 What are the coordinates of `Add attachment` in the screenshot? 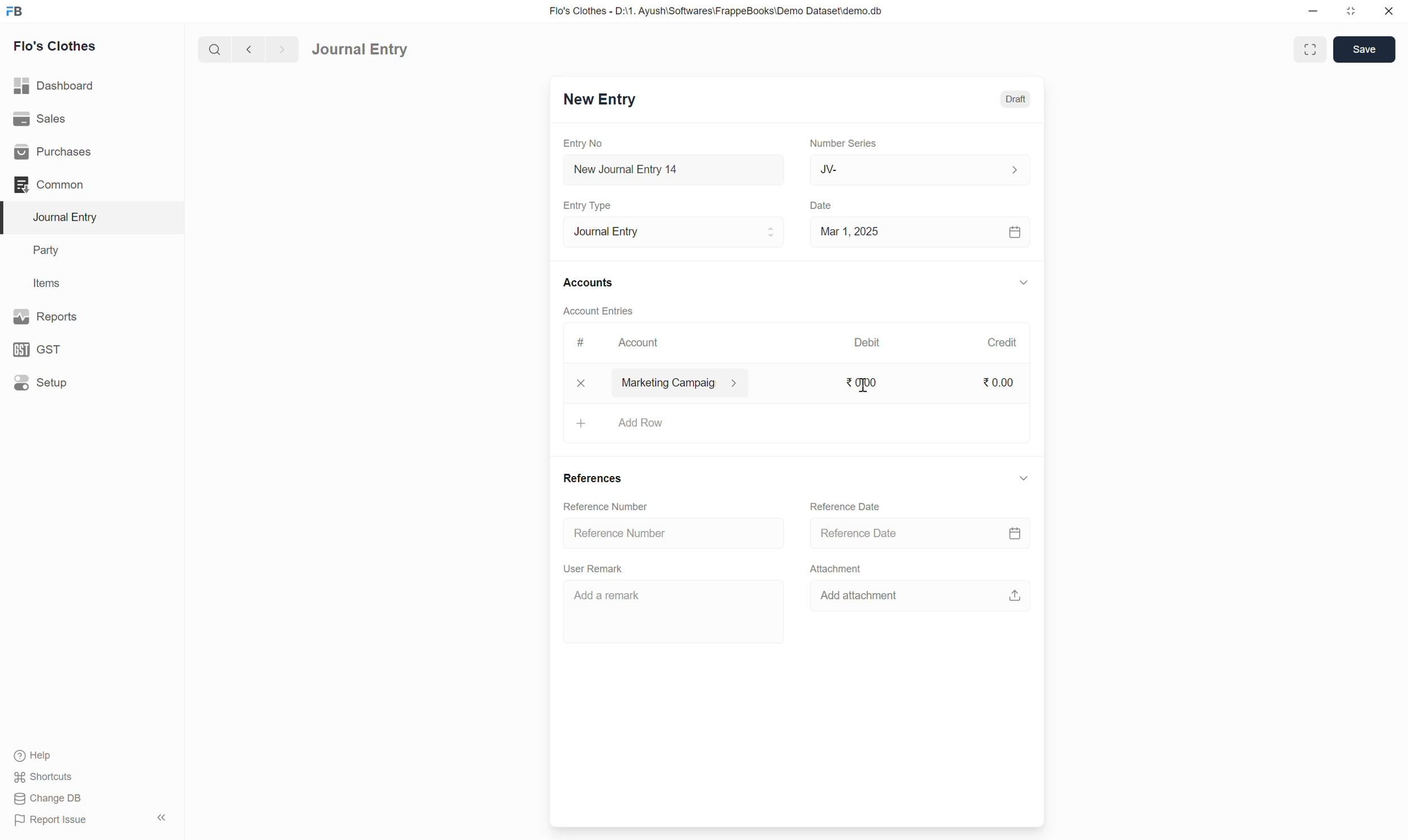 It's located at (869, 596).